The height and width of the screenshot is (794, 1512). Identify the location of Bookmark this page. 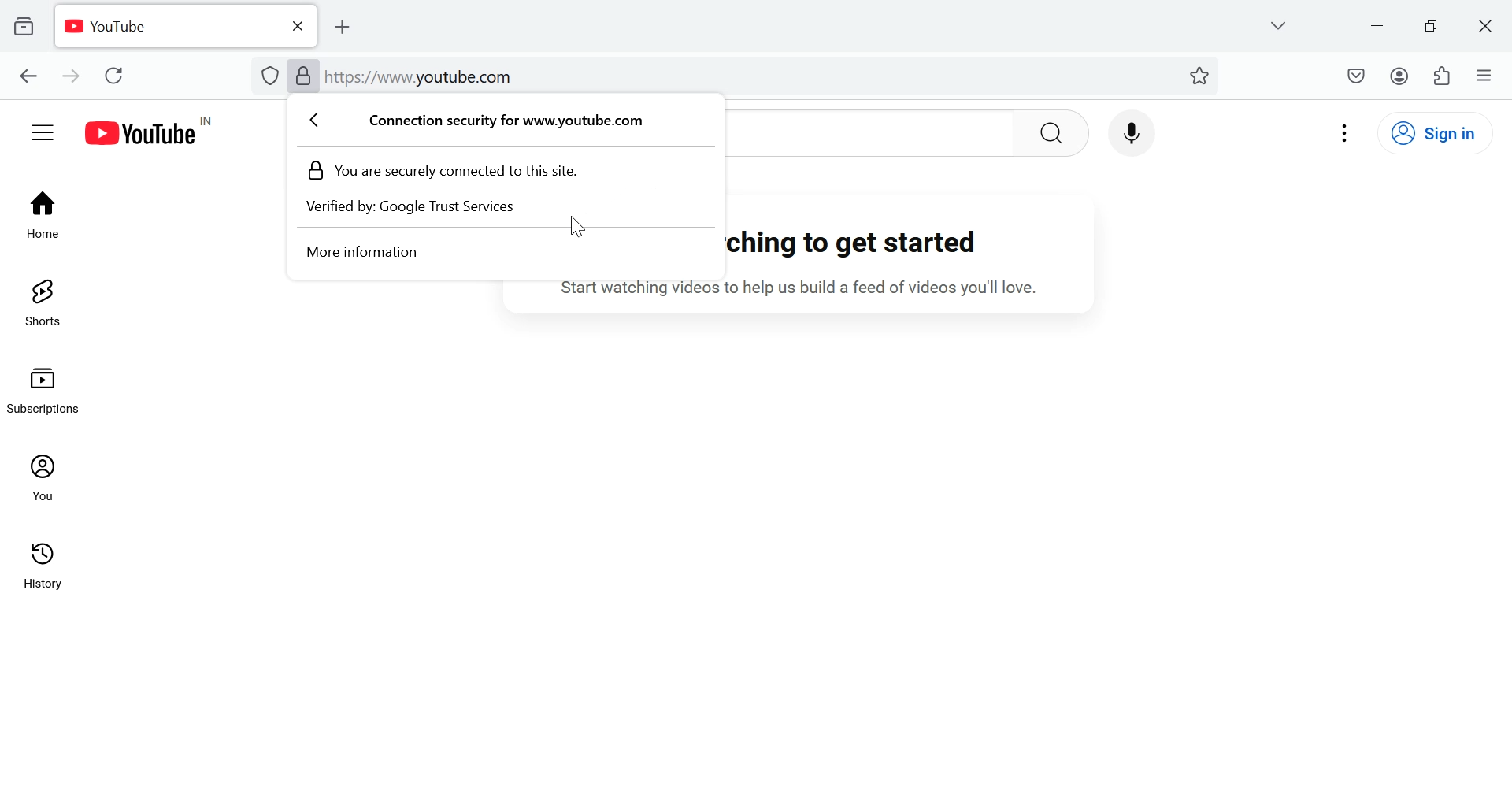
(1201, 74).